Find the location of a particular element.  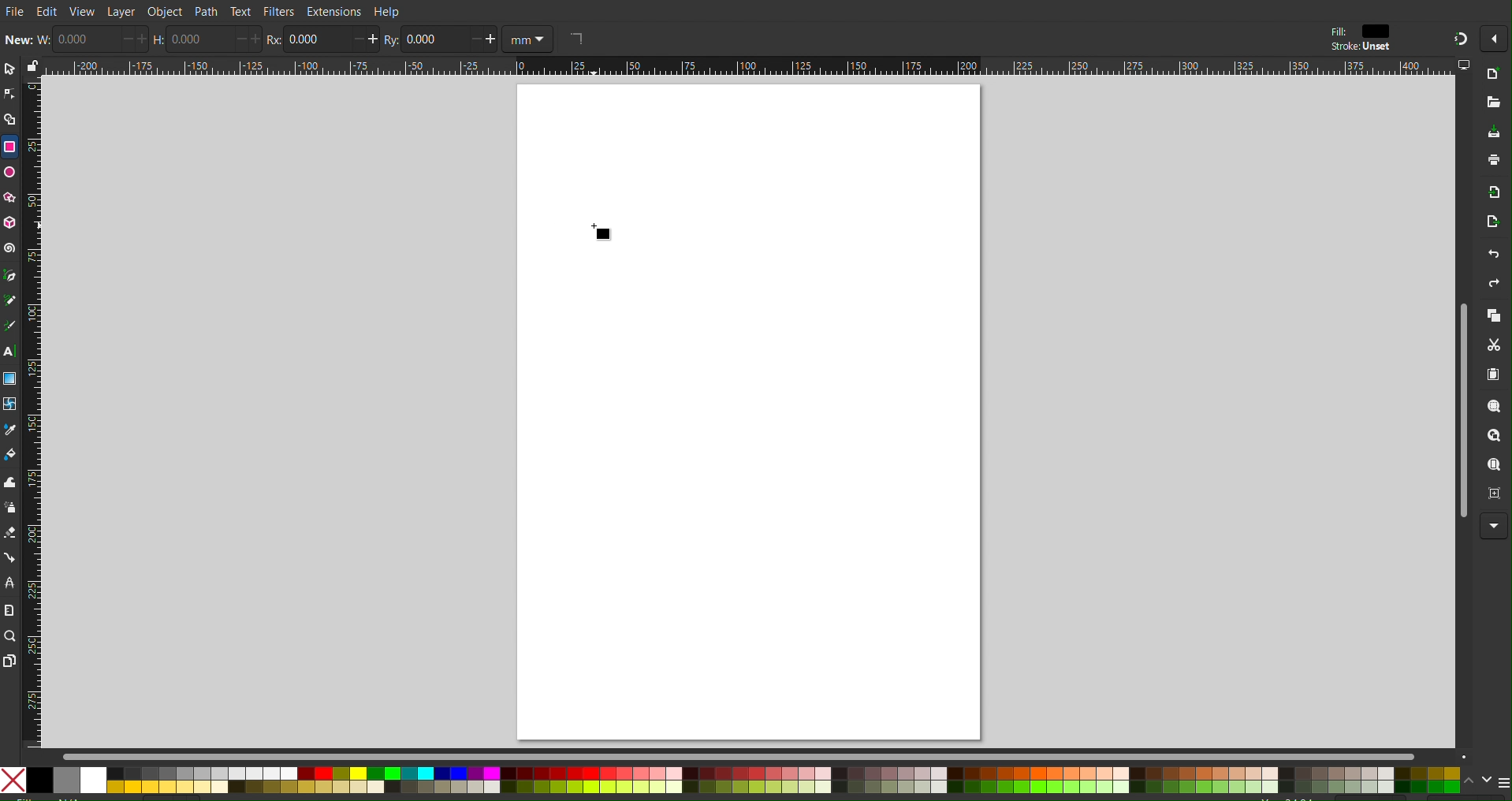

Pages is located at coordinates (9, 660).